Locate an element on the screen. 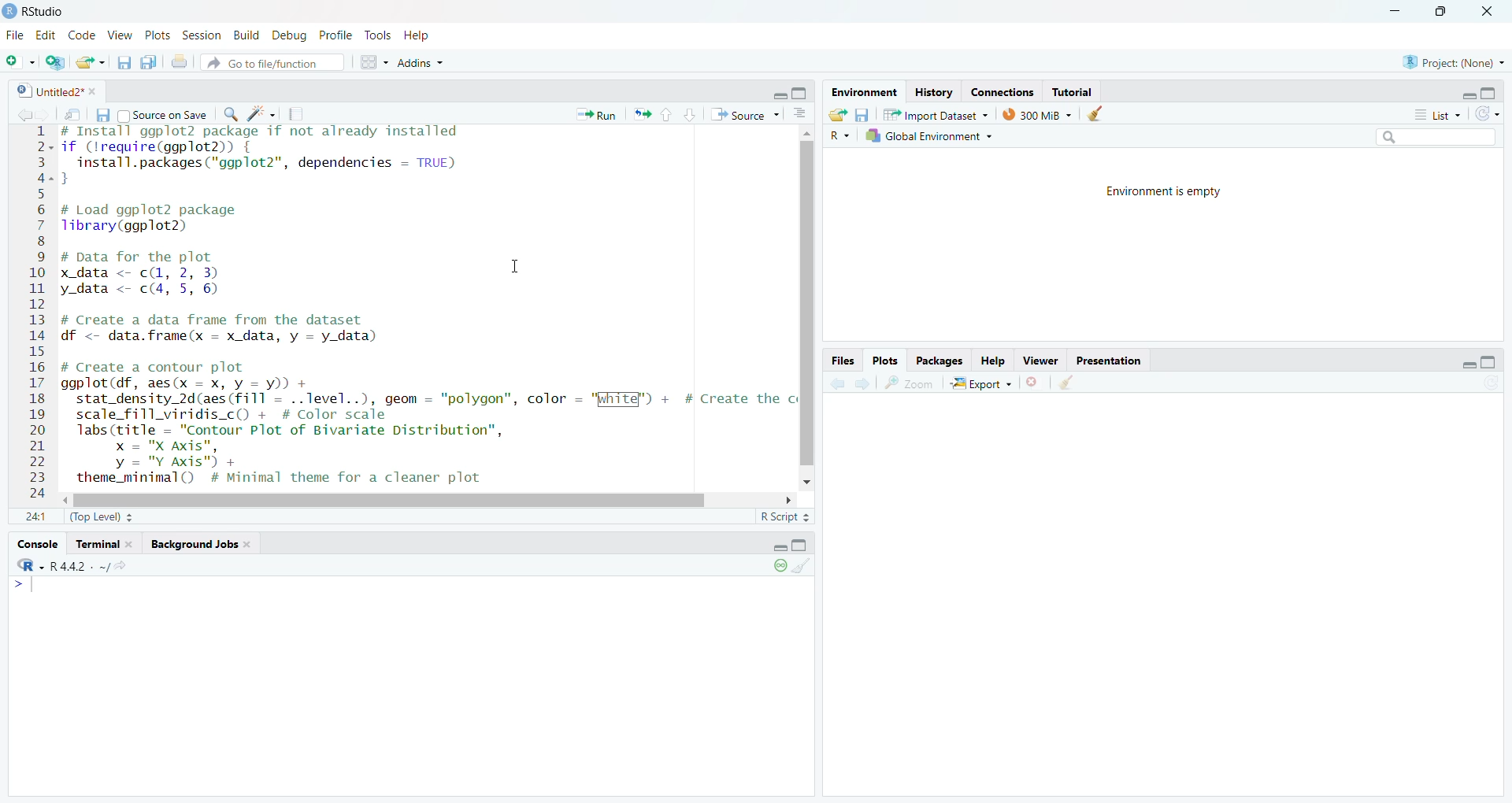 Image resolution: width=1512 pixels, height=803 pixels. hide console is located at coordinates (1488, 362).